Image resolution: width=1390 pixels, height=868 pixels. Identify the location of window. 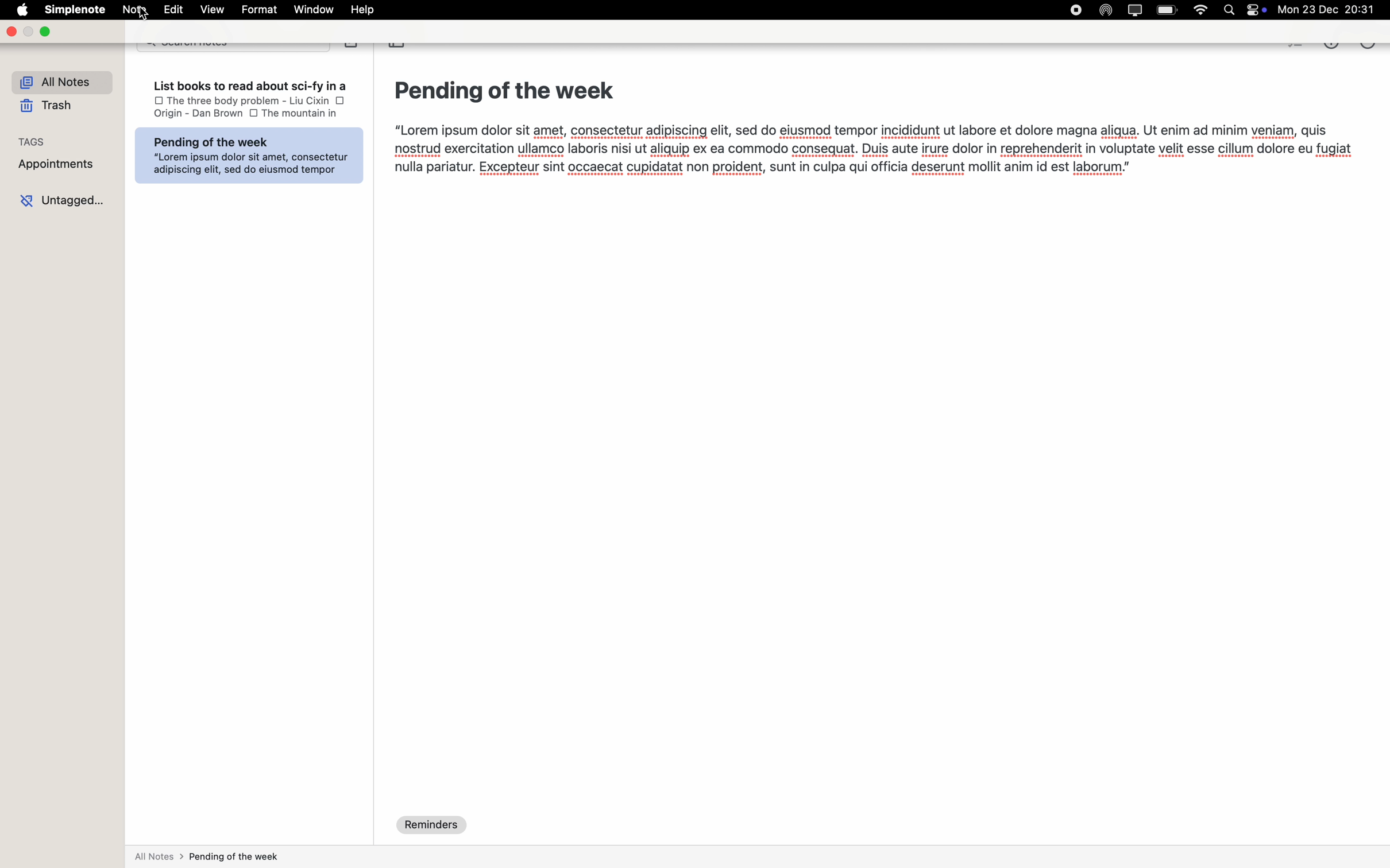
(313, 9).